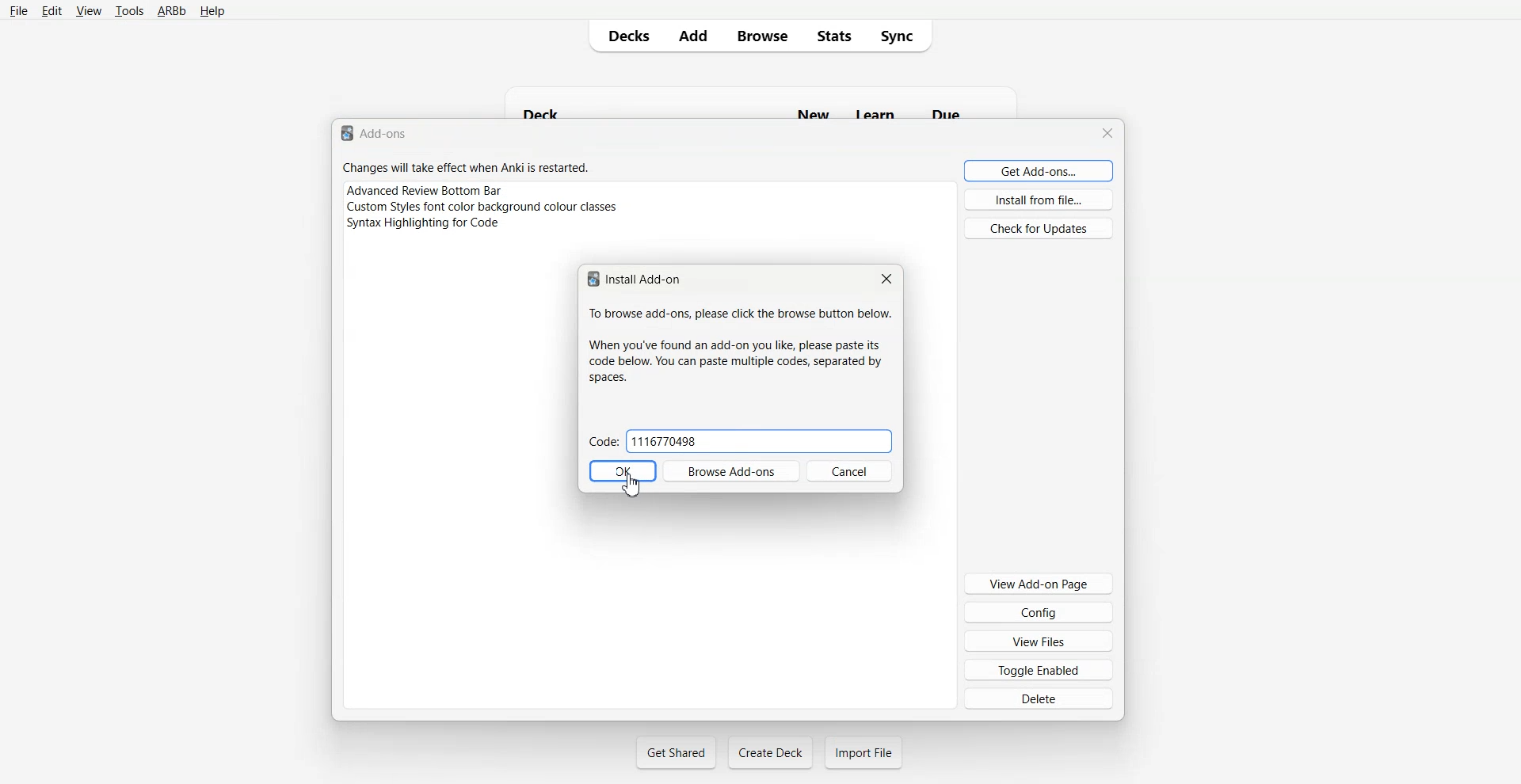 This screenshot has width=1521, height=784. I want to click on View Files, so click(1039, 640).